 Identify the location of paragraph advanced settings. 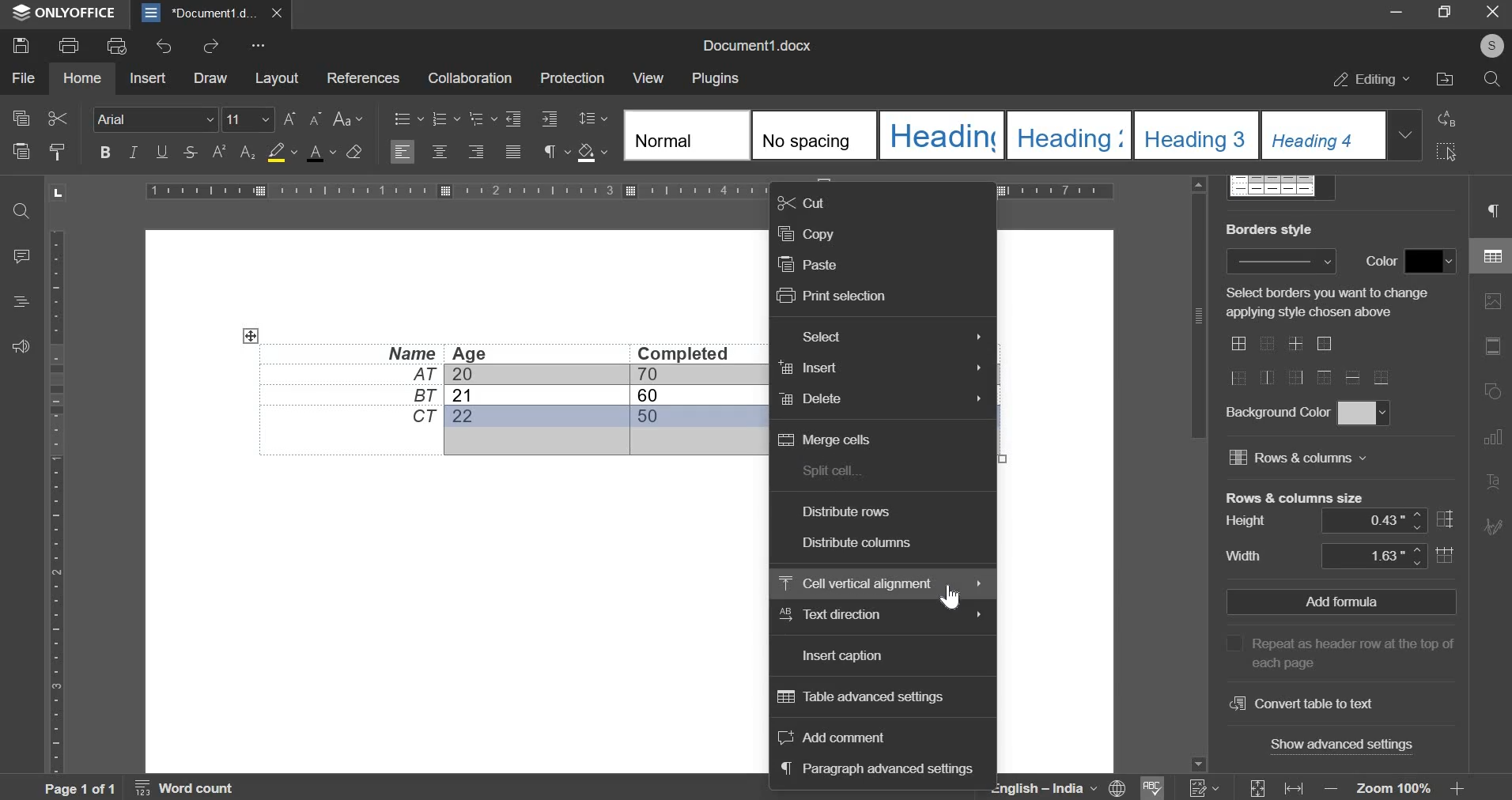
(876, 768).